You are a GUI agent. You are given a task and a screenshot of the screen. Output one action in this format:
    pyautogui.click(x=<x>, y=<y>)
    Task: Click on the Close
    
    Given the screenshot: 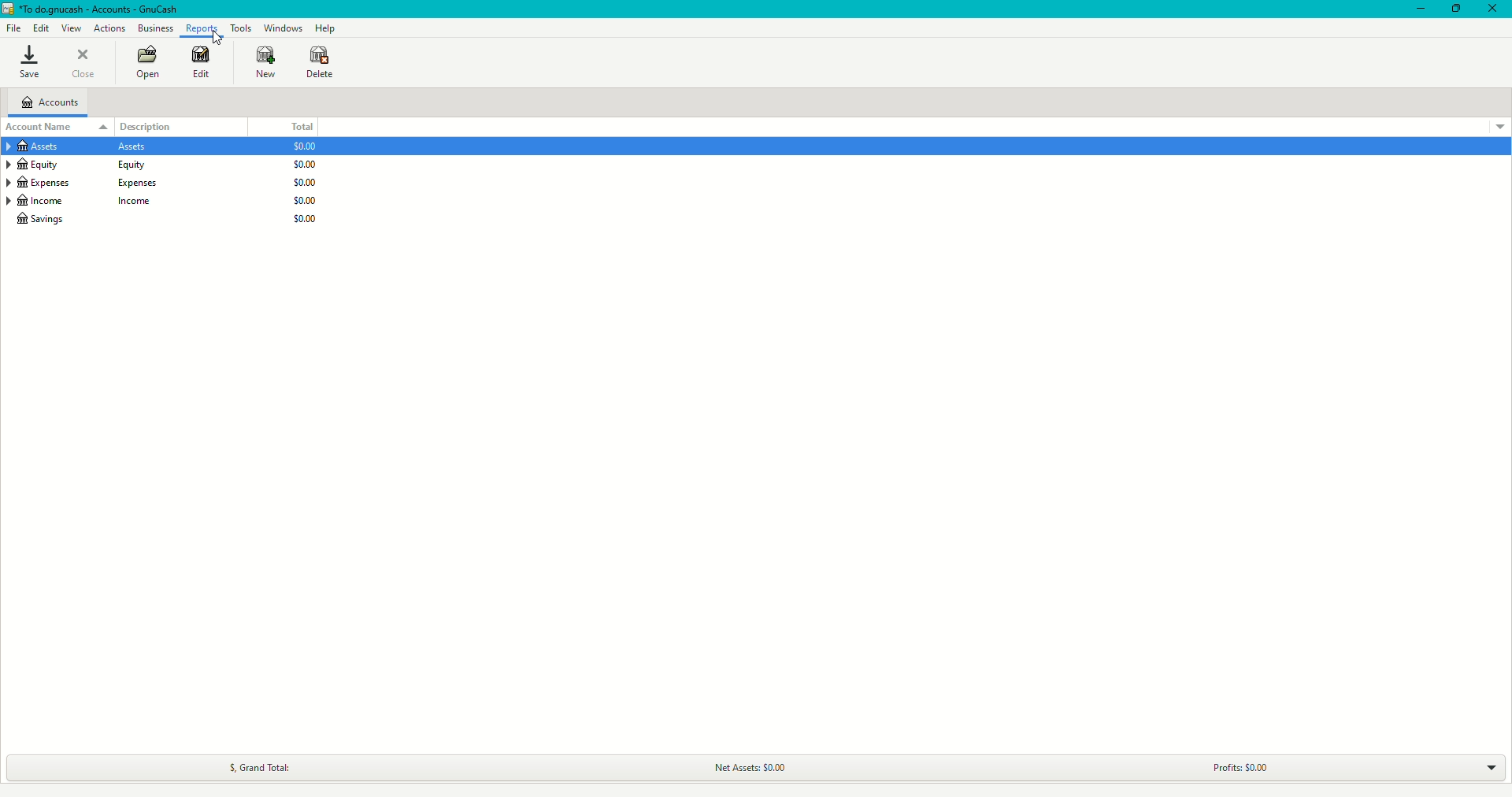 What is the action you would take?
    pyautogui.click(x=1492, y=9)
    